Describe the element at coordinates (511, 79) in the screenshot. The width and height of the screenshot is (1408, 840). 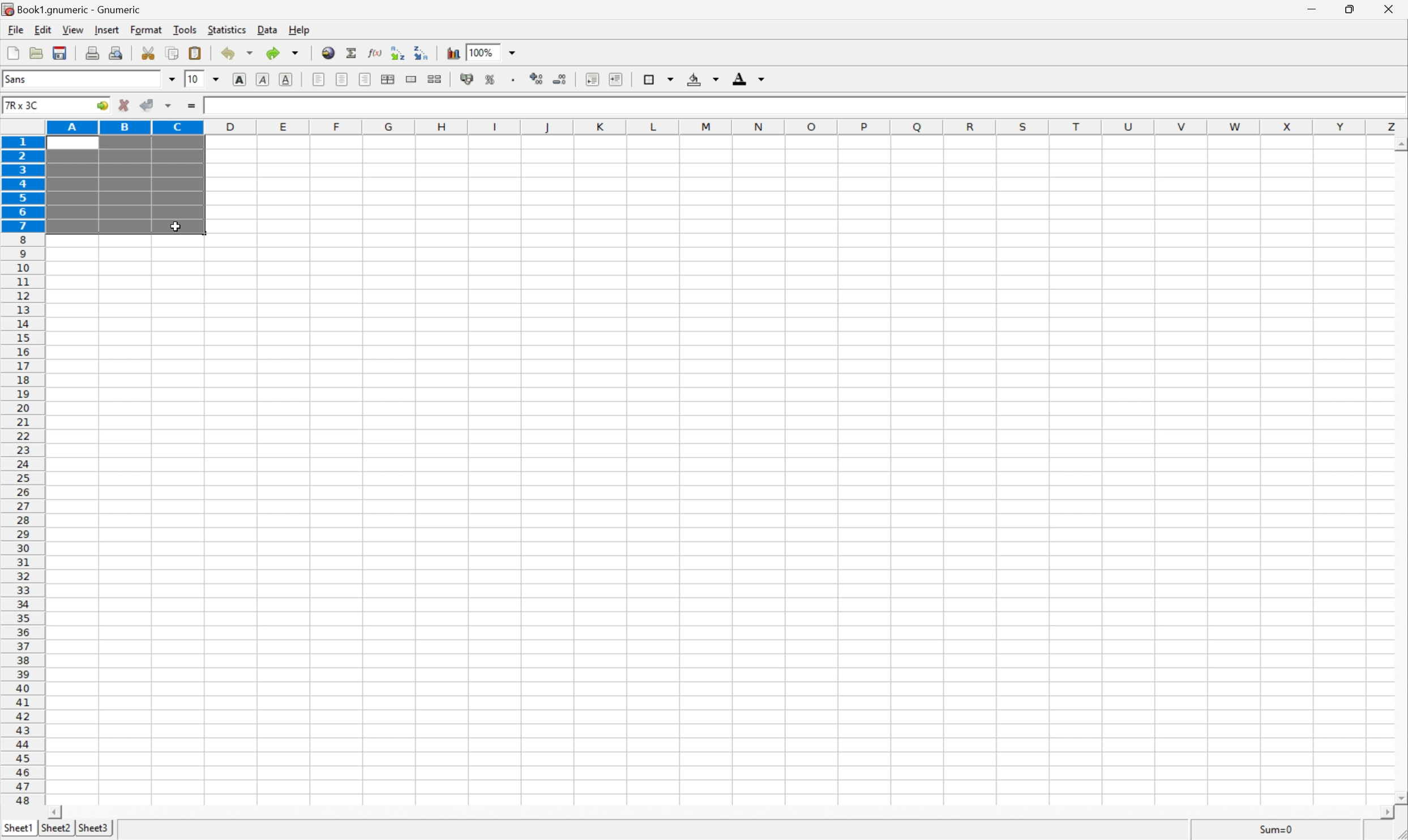
I see `Set the format of the selected cells to include a thousands separator` at that location.